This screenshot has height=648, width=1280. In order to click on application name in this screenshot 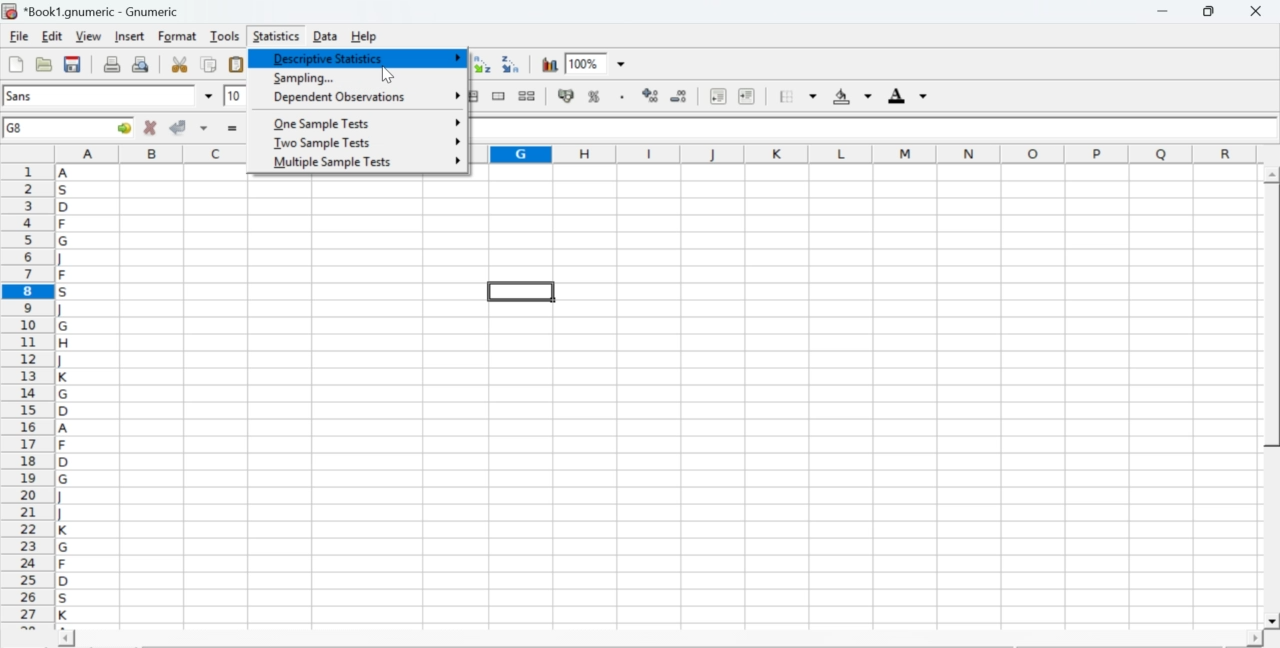, I will do `click(94, 9)`.